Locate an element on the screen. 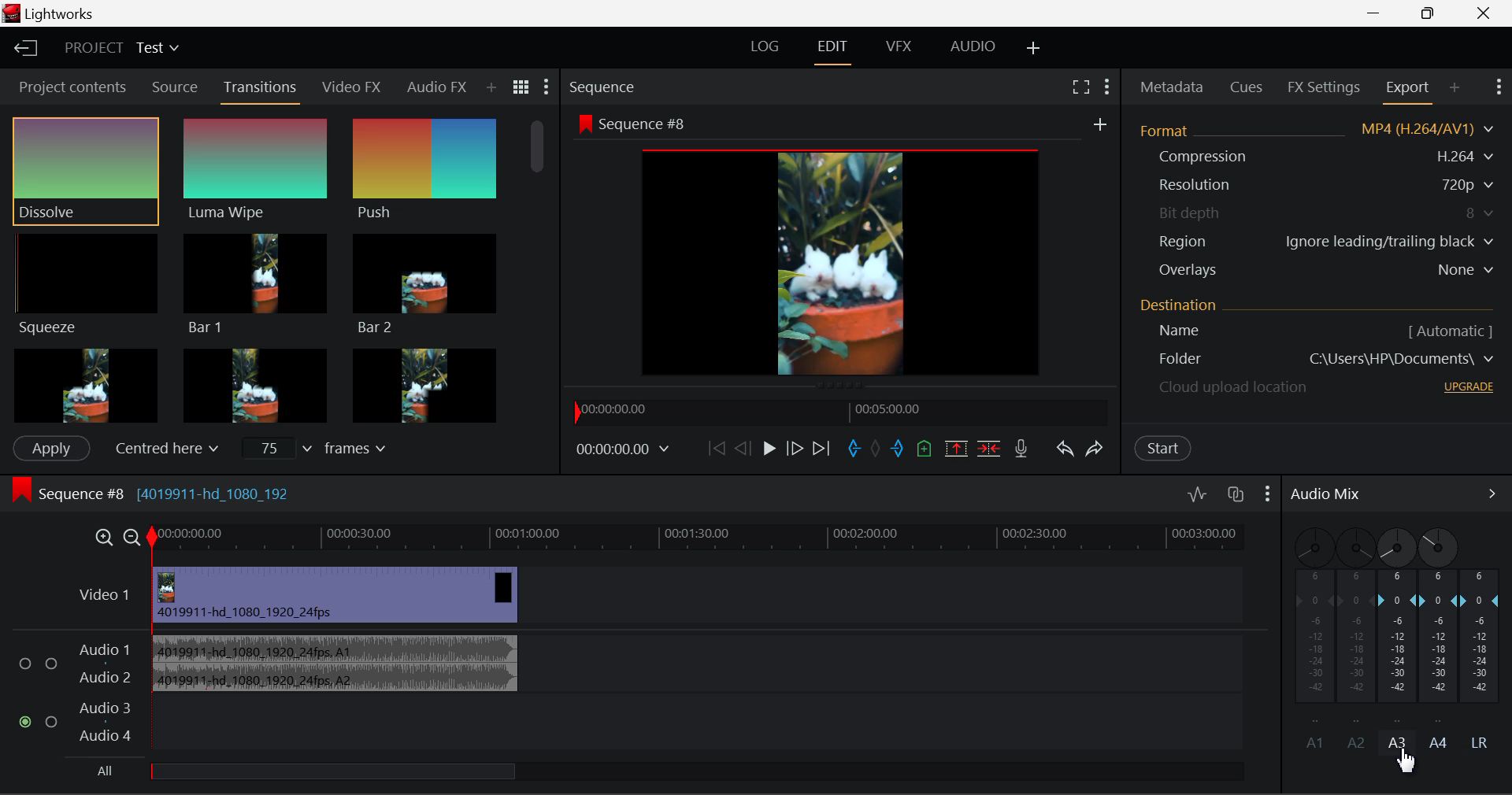 The width and height of the screenshot is (1512, 795). Metadata is located at coordinates (1171, 88).